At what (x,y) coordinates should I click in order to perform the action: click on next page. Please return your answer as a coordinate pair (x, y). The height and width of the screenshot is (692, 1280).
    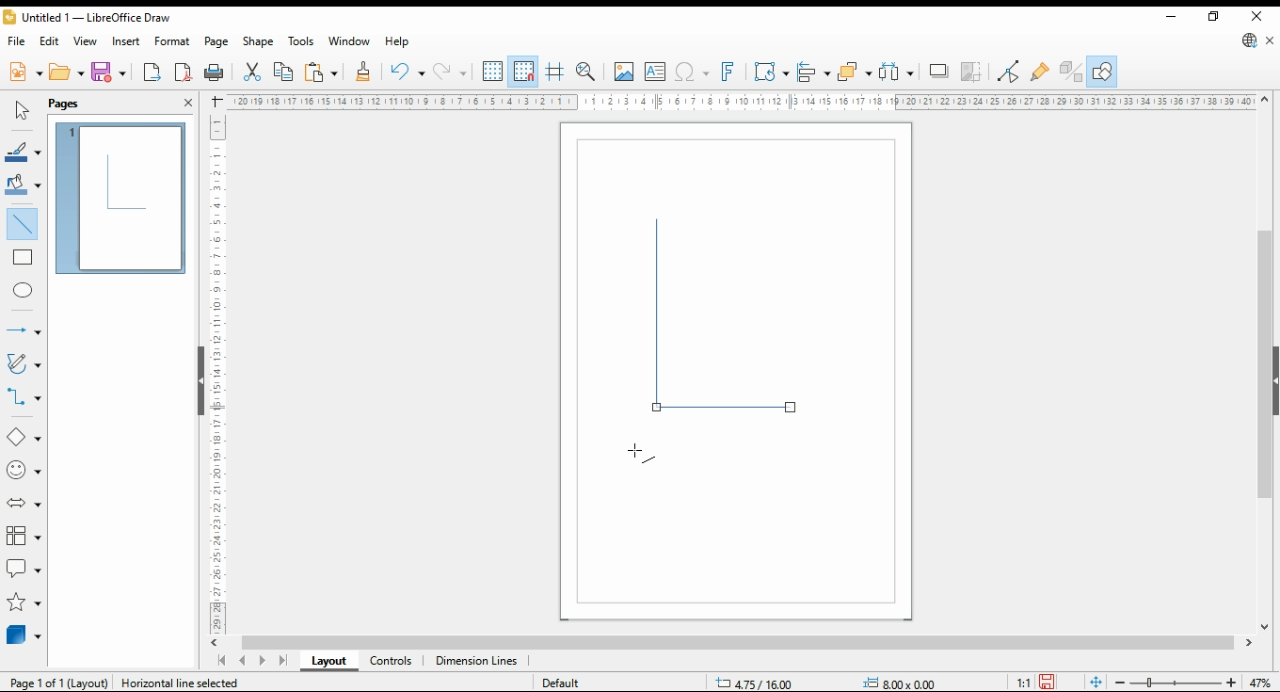
    Looking at the image, I should click on (266, 661).